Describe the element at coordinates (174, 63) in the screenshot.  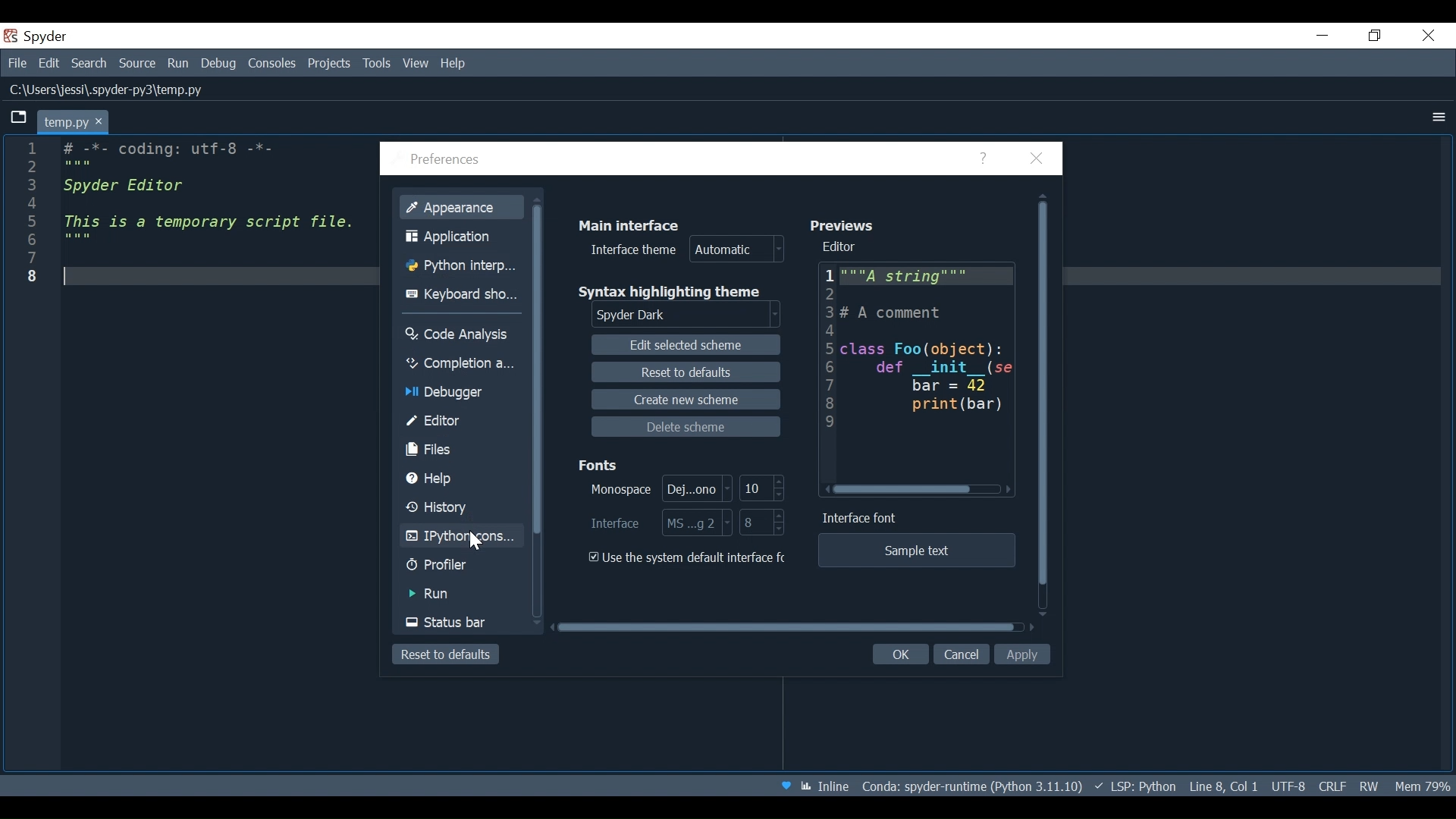
I see `Run` at that location.